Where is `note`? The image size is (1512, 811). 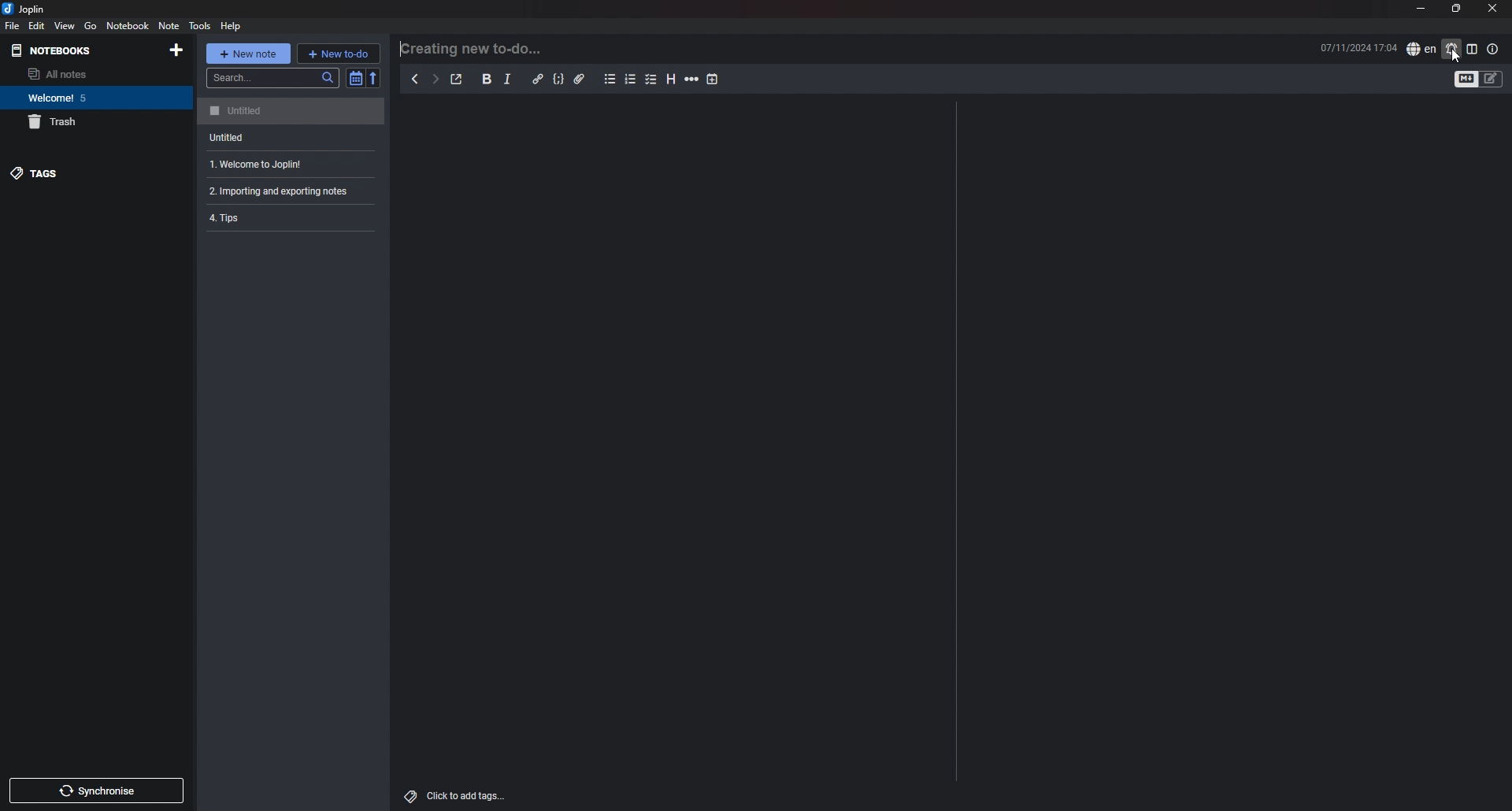
note is located at coordinates (294, 111).